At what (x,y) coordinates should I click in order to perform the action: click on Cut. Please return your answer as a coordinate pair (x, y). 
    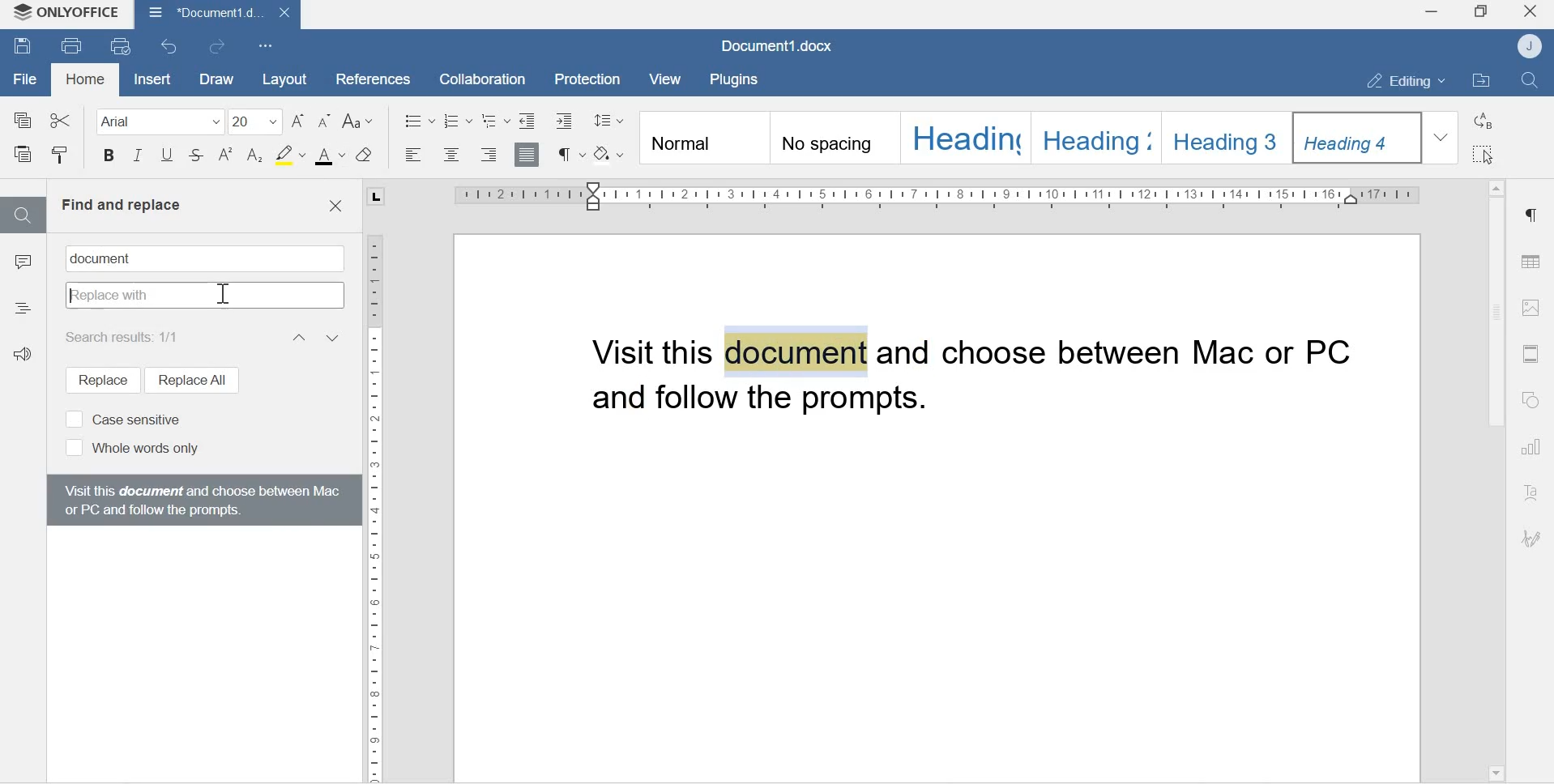
    Looking at the image, I should click on (60, 117).